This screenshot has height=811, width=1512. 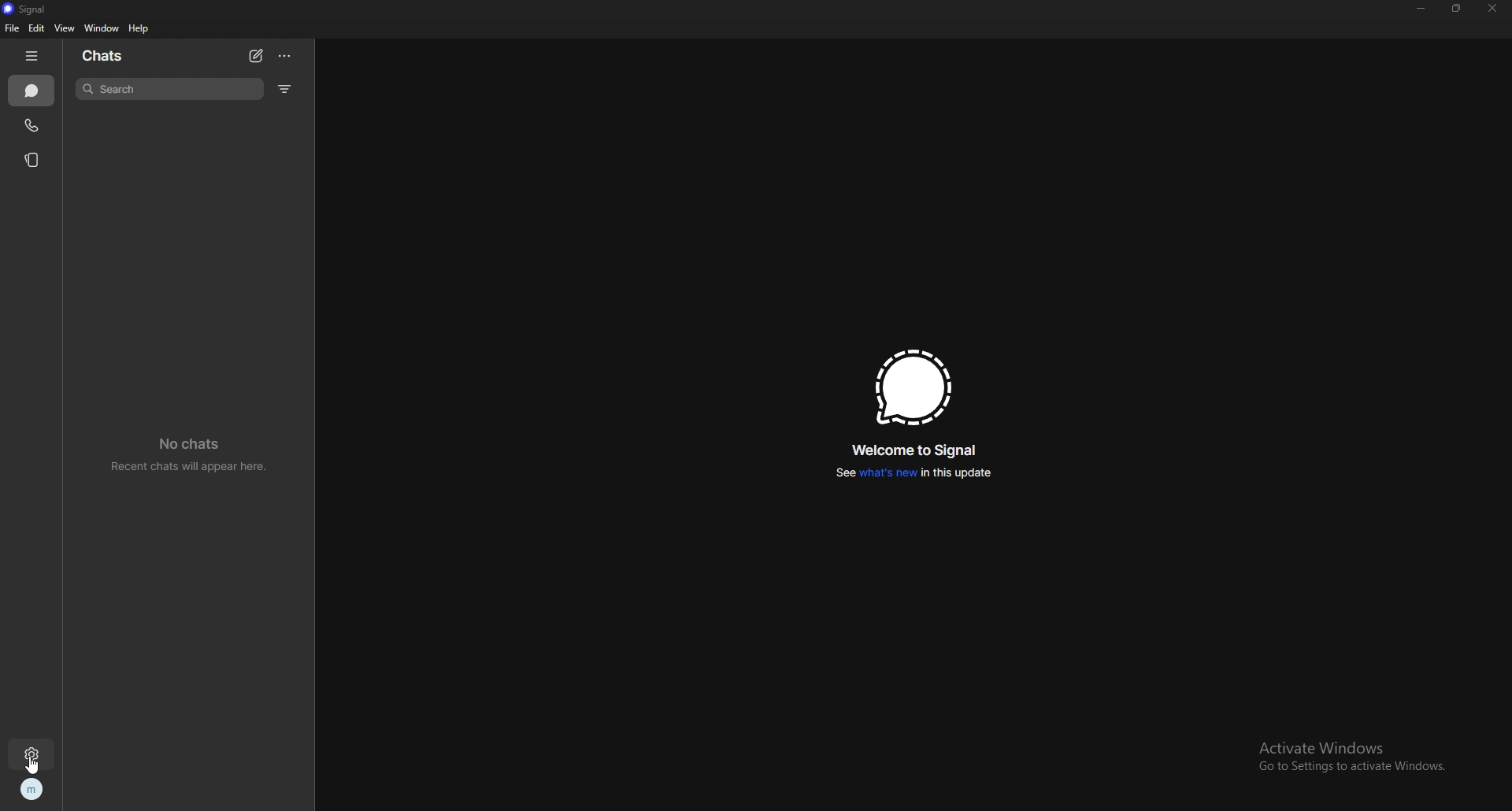 I want to click on calls, so click(x=32, y=125).